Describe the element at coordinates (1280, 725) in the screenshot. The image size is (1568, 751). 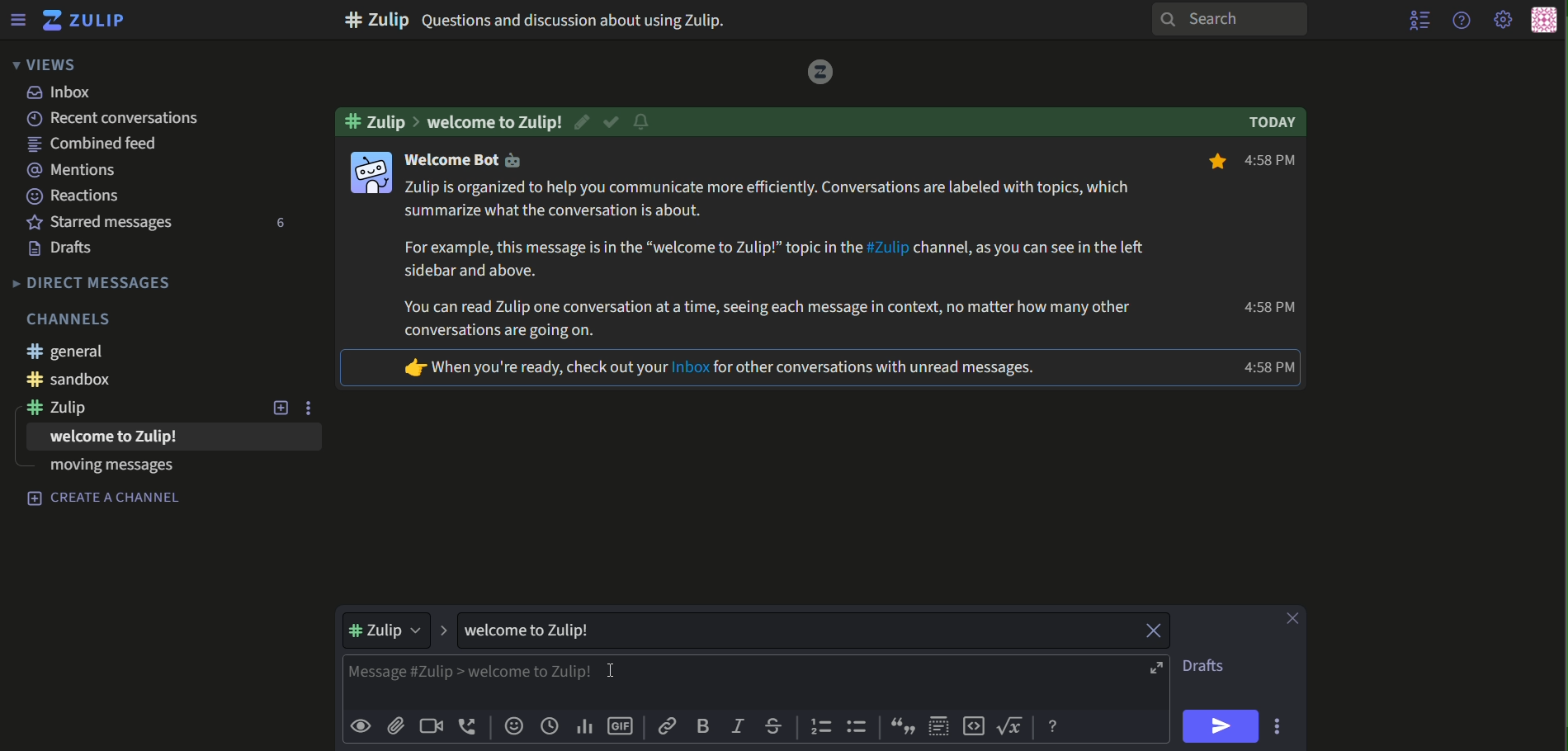
I see `options` at that location.